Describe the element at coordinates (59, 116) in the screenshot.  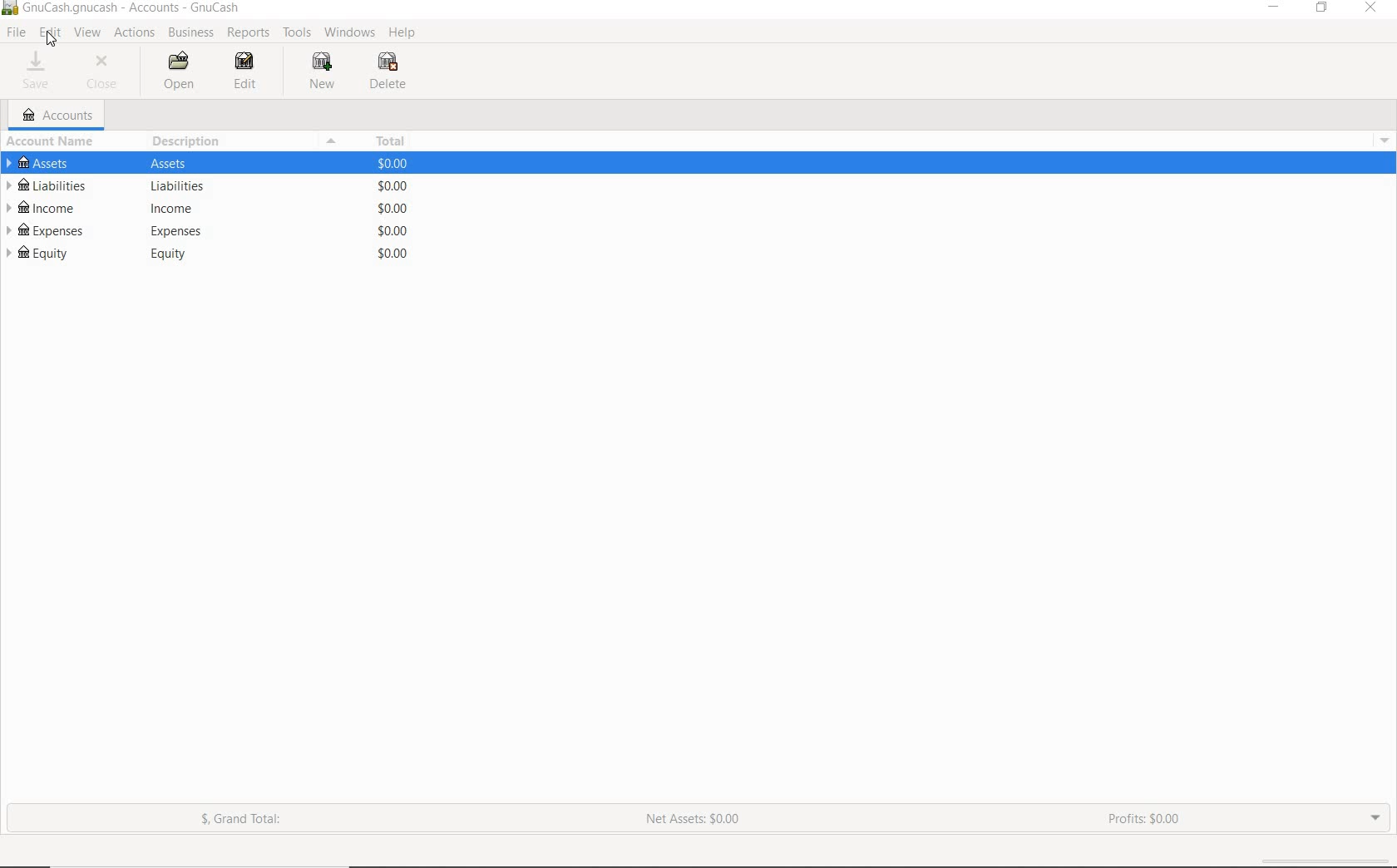
I see `ACCOUNTS` at that location.